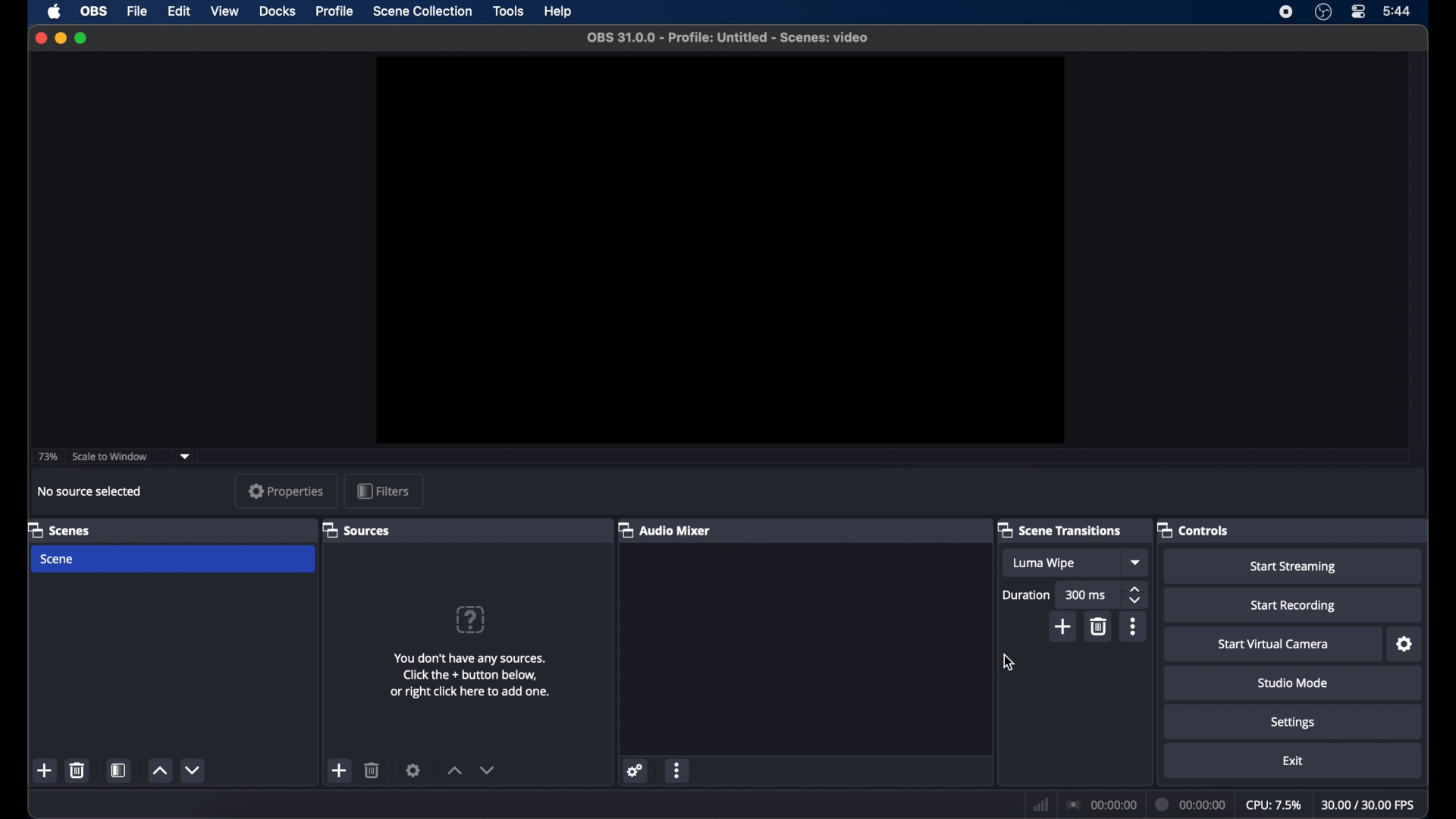  What do you see at coordinates (1136, 595) in the screenshot?
I see `stepper buttons` at bounding box center [1136, 595].